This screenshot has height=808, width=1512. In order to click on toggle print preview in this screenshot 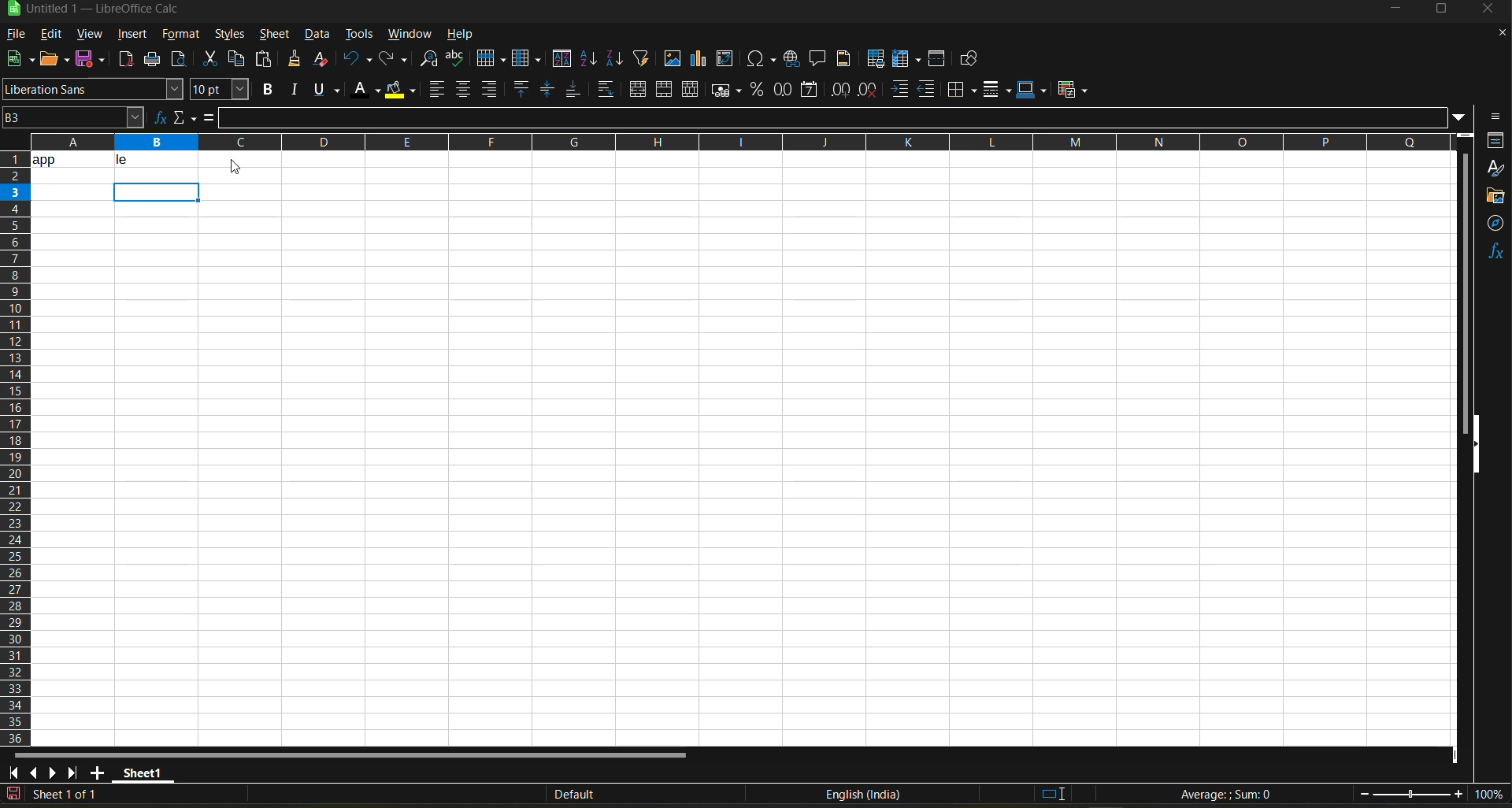, I will do `click(180, 61)`.